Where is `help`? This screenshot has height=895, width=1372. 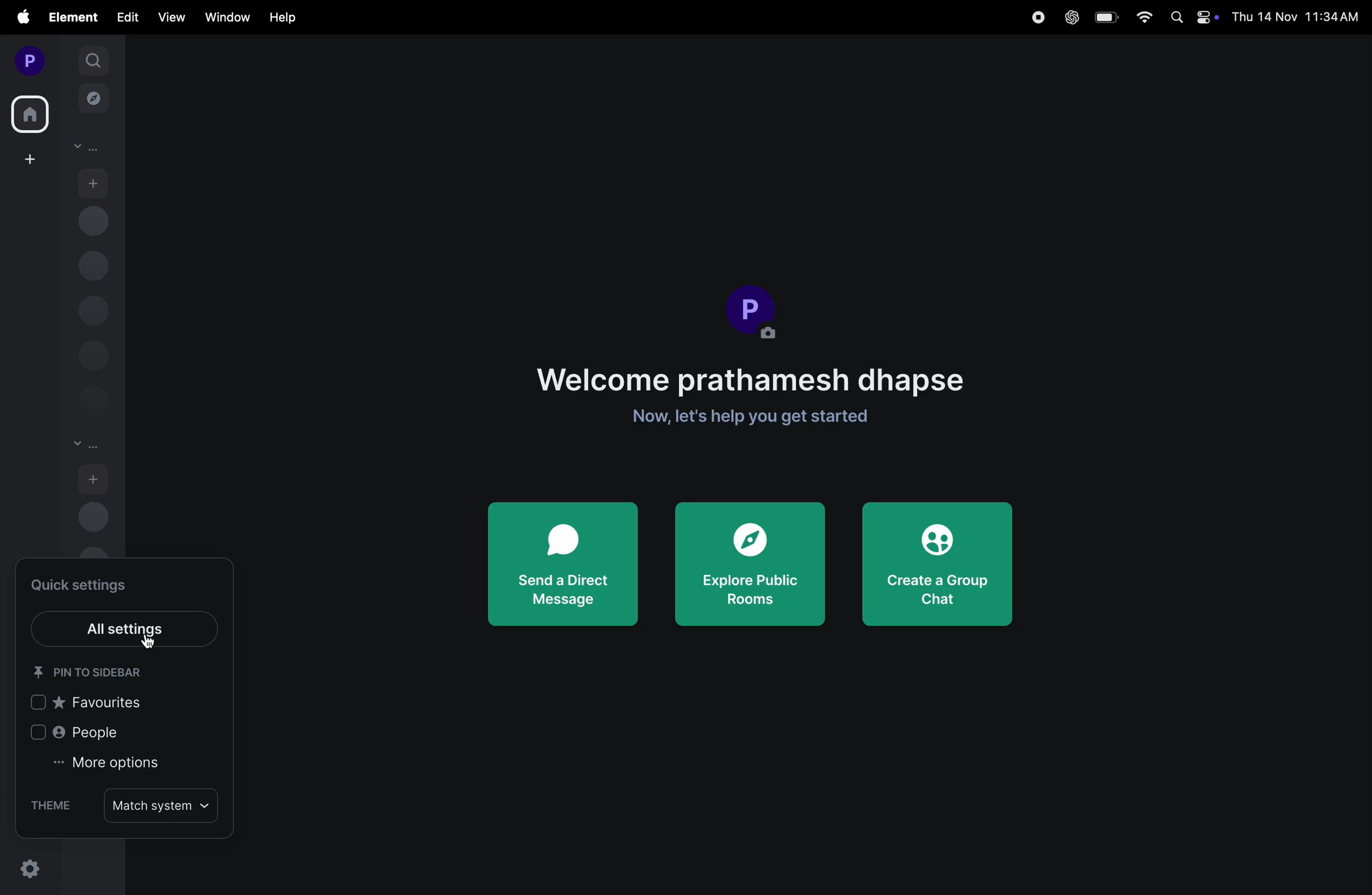
help is located at coordinates (283, 18).